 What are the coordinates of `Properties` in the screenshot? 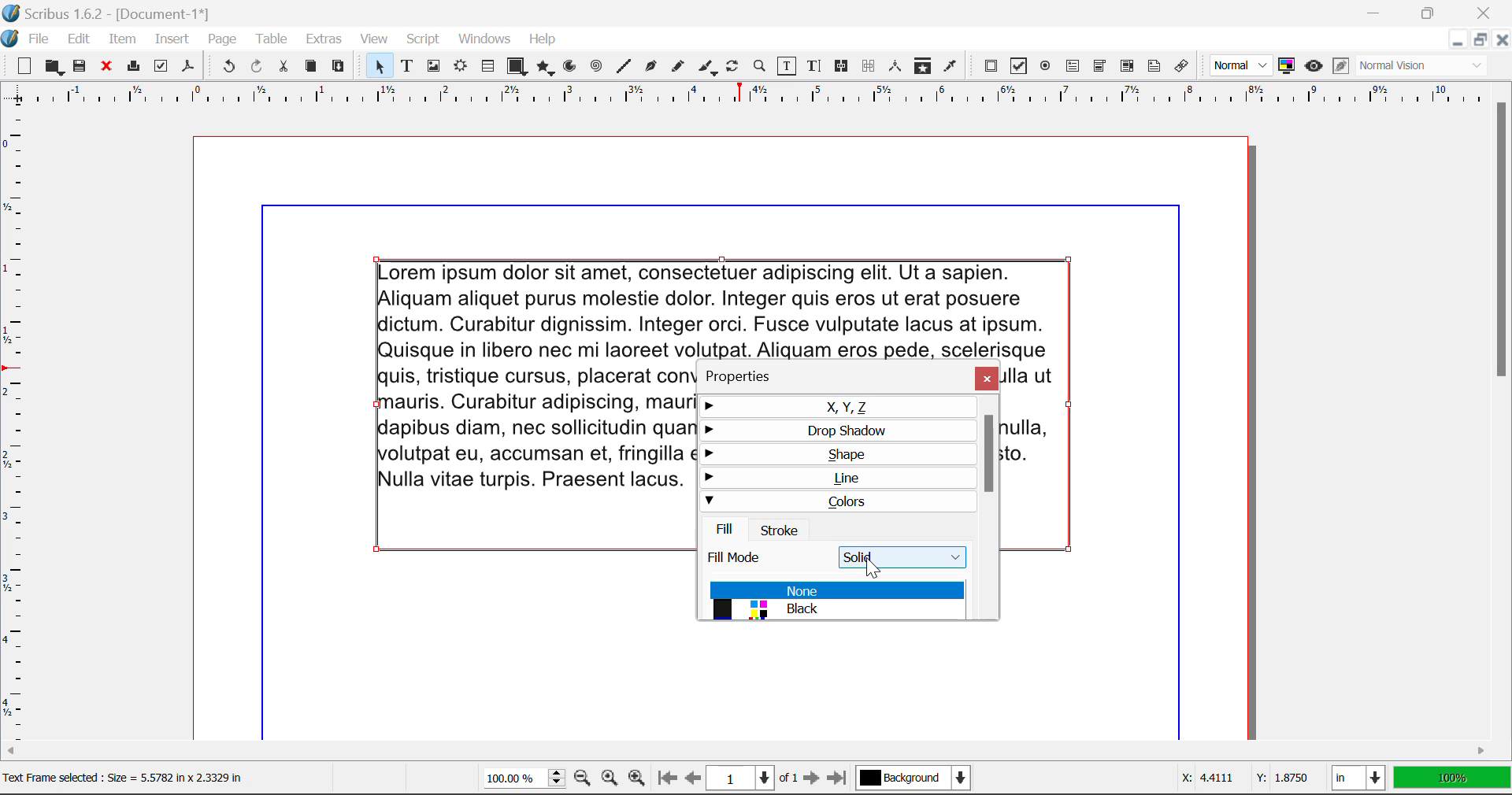 It's located at (747, 376).